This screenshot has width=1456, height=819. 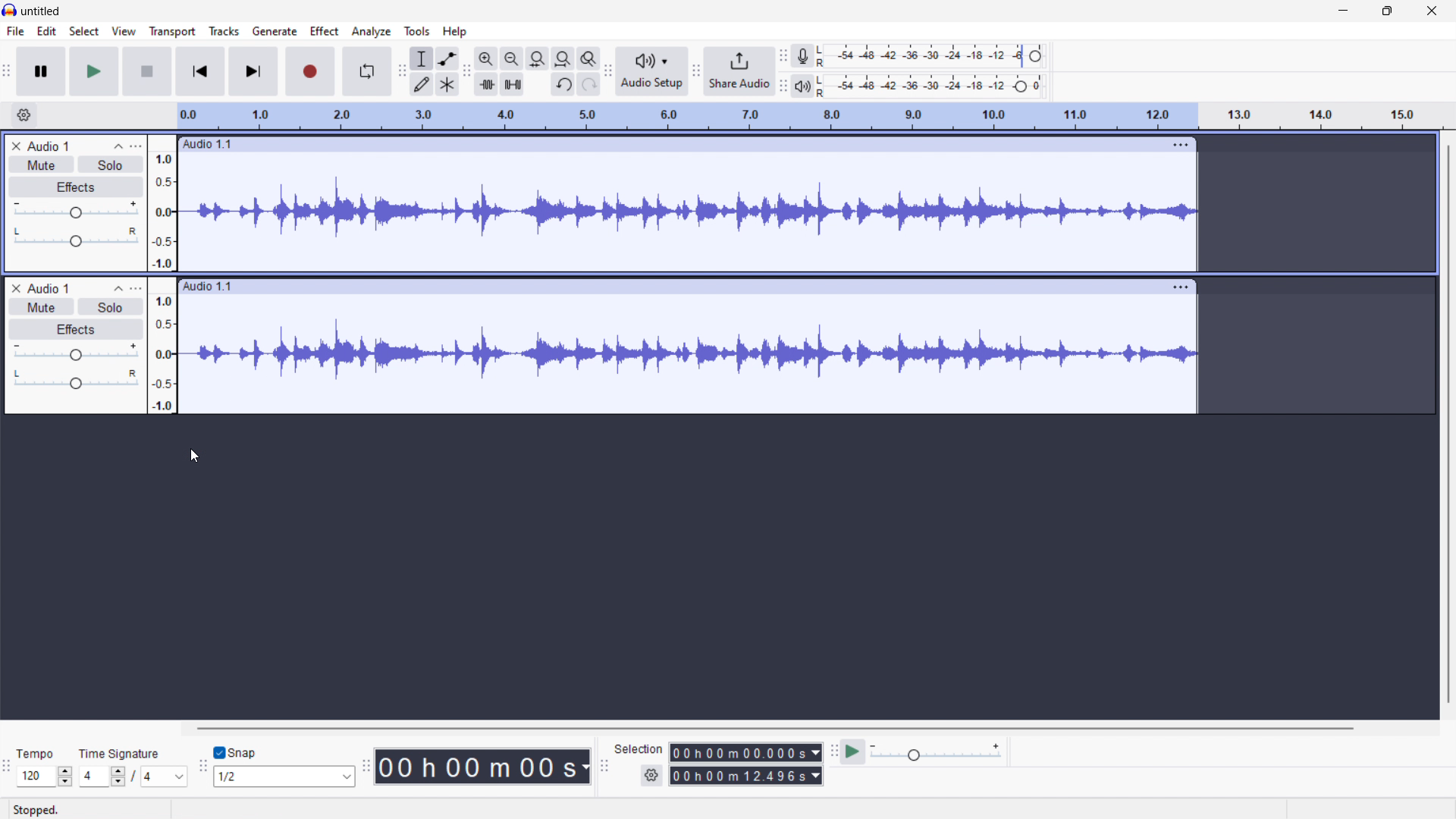 What do you see at coordinates (139, 146) in the screenshot?
I see `track control panel menu` at bounding box center [139, 146].